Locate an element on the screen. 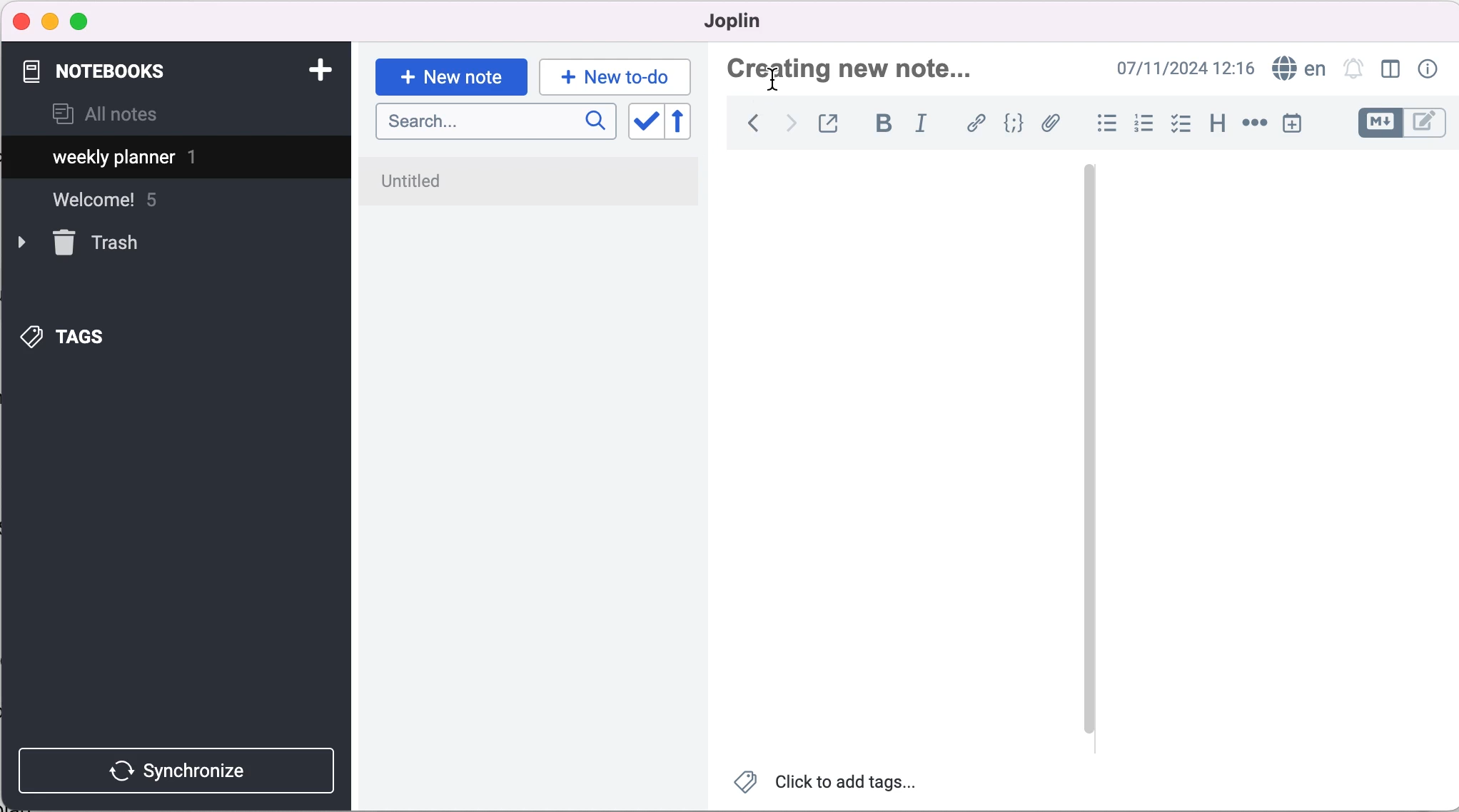  trash is located at coordinates (101, 243).